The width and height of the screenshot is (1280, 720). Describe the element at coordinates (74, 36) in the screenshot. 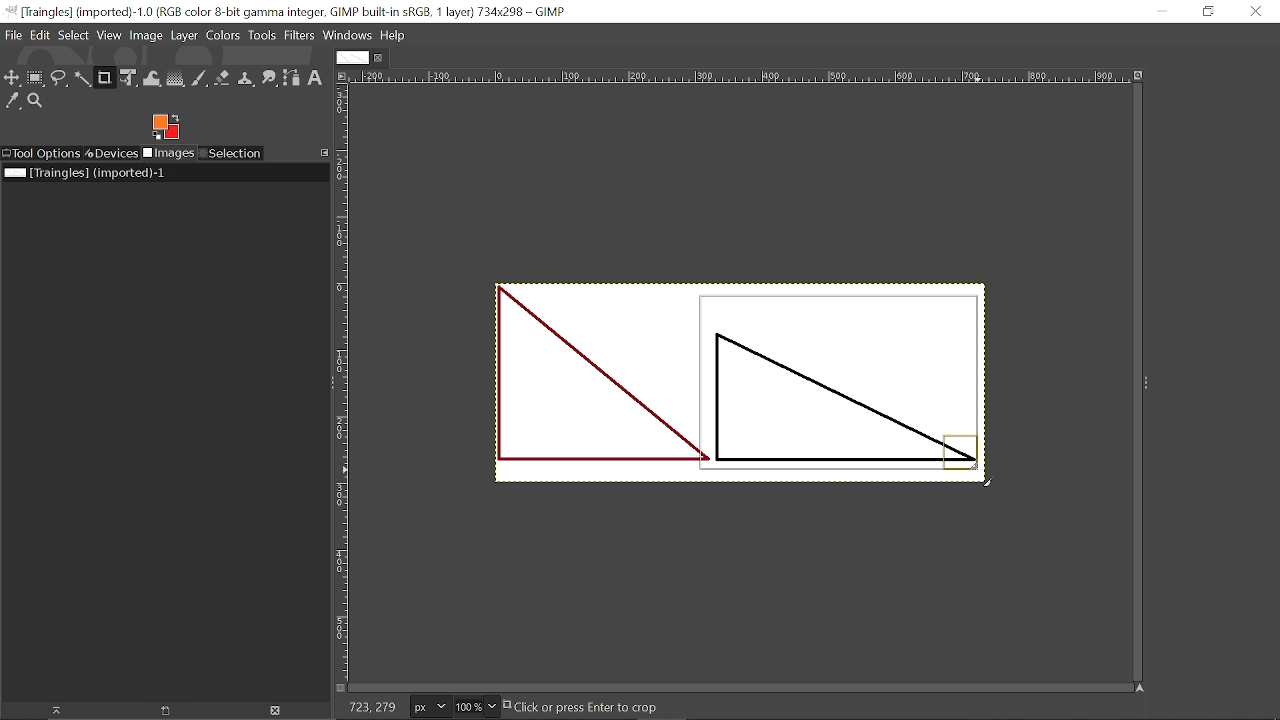

I see `Select` at that location.